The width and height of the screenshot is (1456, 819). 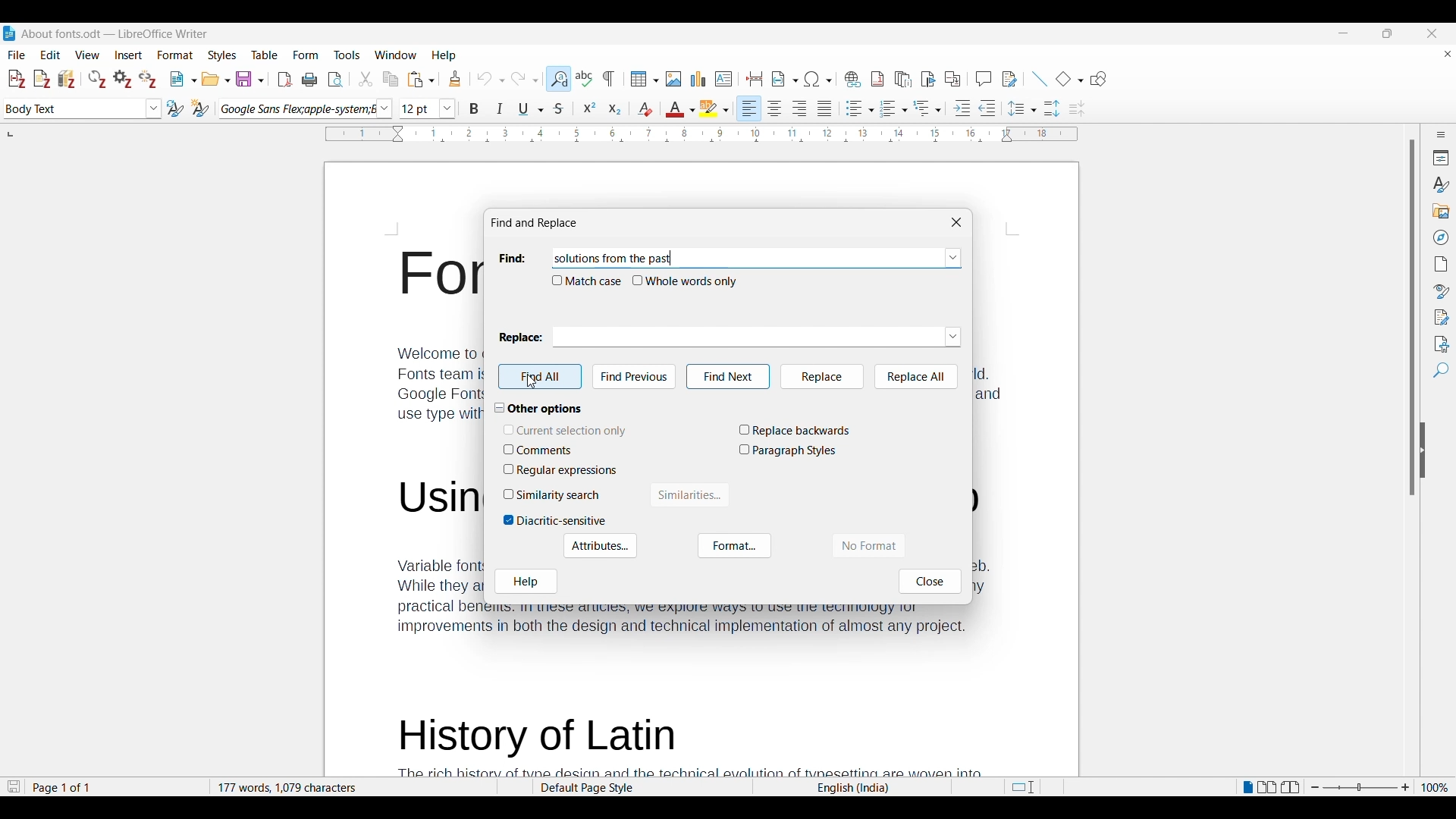 What do you see at coordinates (1099, 79) in the screenshot?
I see `Show draw functions` at bounding box center [1099, 79].